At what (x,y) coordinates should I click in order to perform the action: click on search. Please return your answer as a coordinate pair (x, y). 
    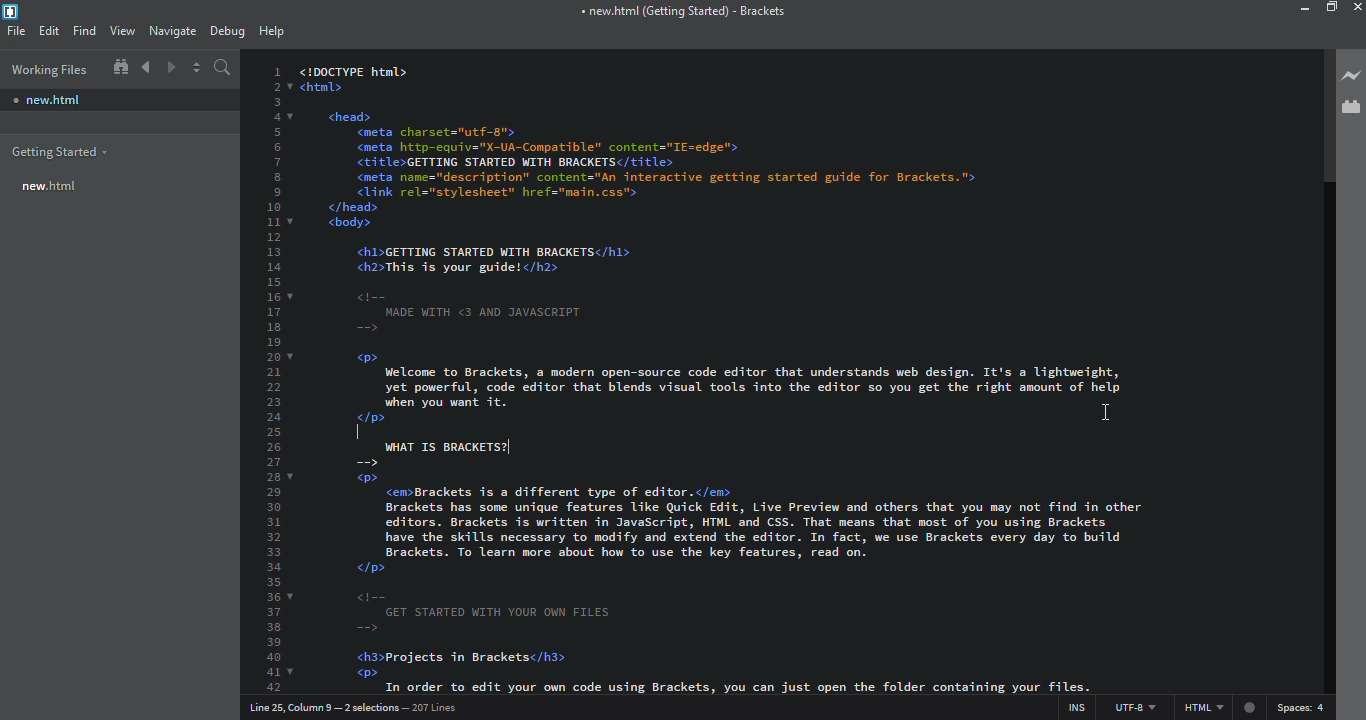
    Looking at the image, I should click on (223, 68).